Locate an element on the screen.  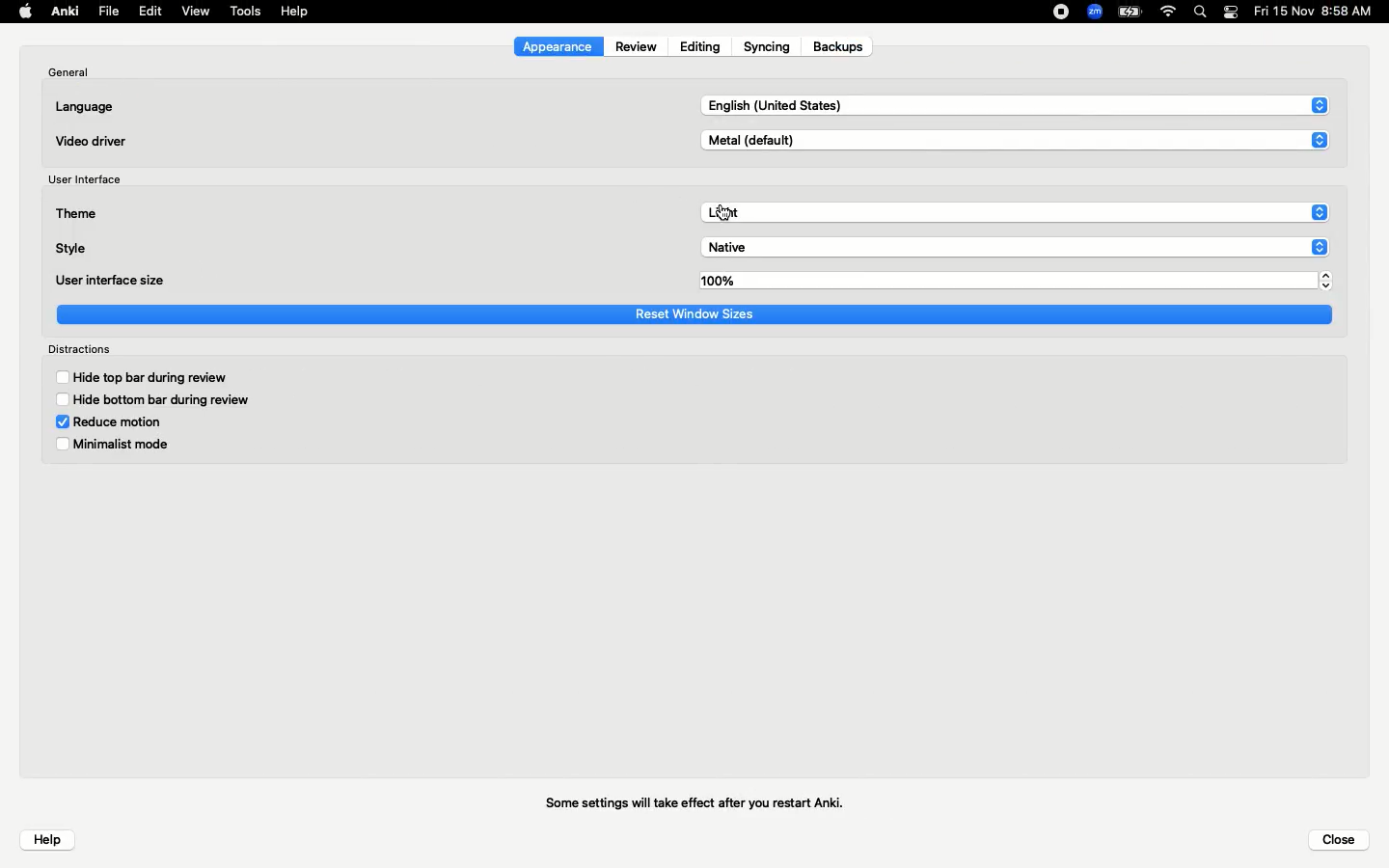
Hide top bar during review is located at coordinates (142, 377).